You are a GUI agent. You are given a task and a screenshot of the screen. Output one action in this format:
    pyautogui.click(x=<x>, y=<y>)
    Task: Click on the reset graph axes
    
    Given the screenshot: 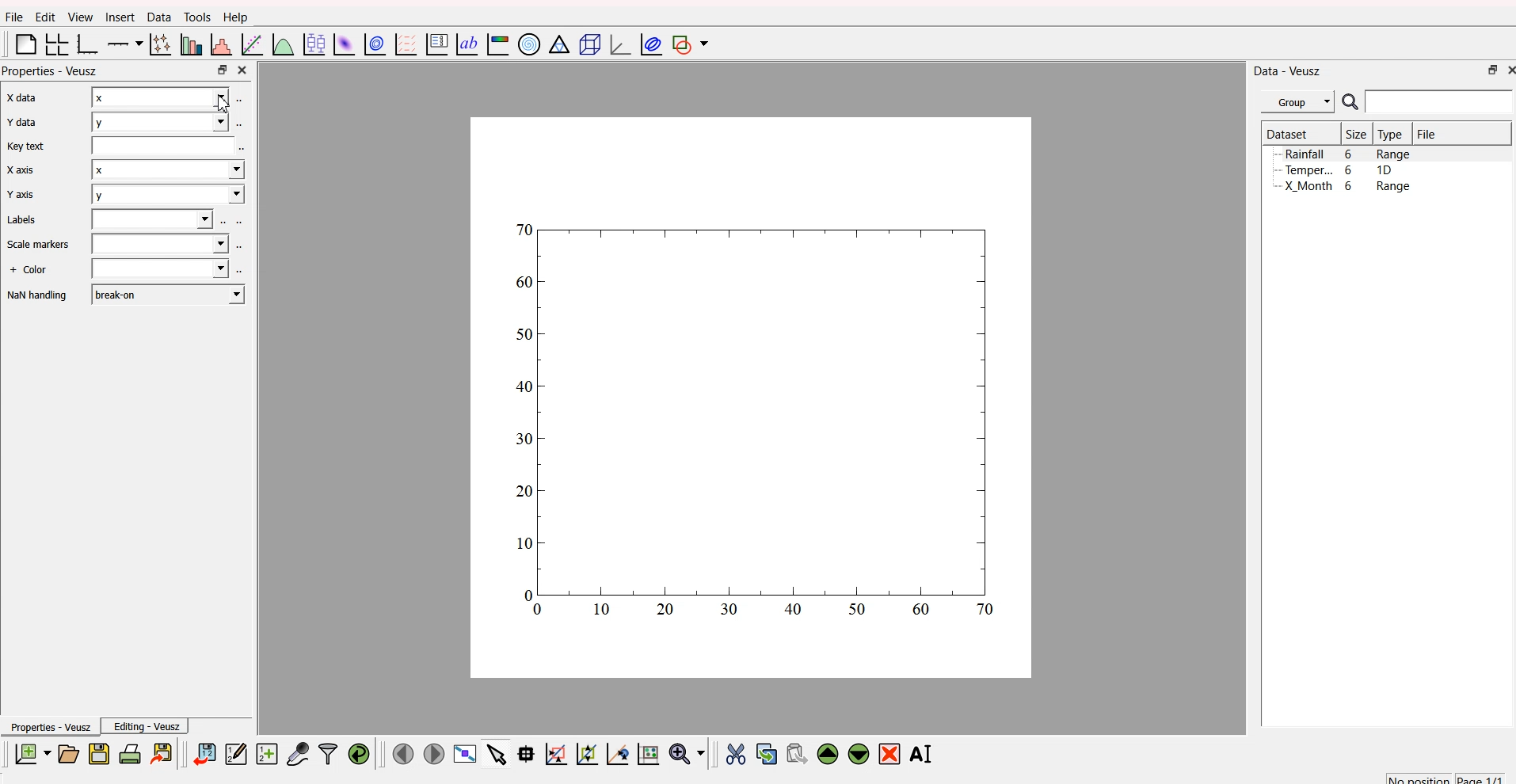 What is the action you would take?
    pyautogui.click(x=651, y=752)
    